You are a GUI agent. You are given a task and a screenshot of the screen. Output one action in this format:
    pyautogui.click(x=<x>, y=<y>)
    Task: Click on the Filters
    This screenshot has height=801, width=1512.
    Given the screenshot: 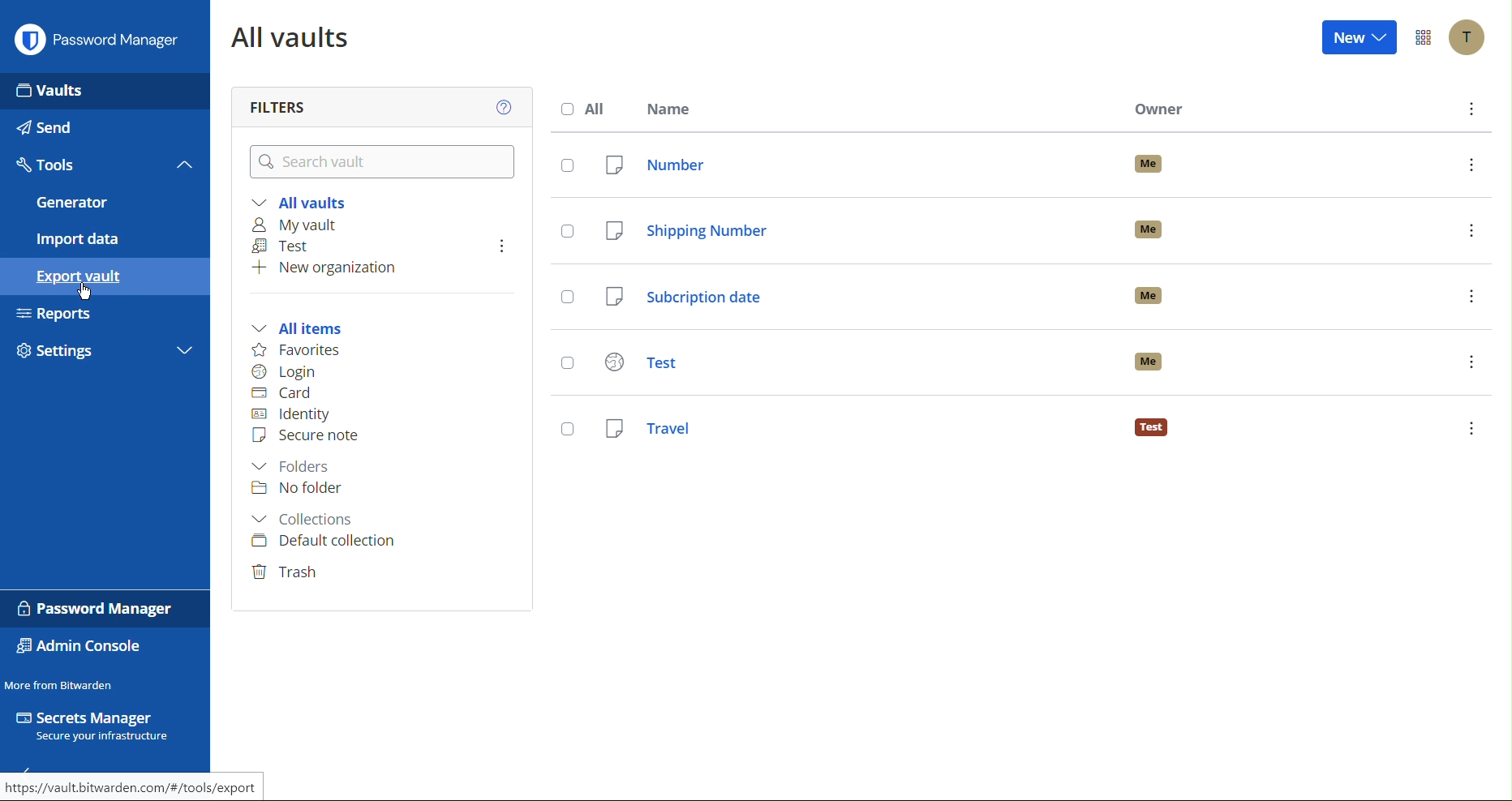 What is the action you would take?
    pyautogui.click(x=278, y=103)
    